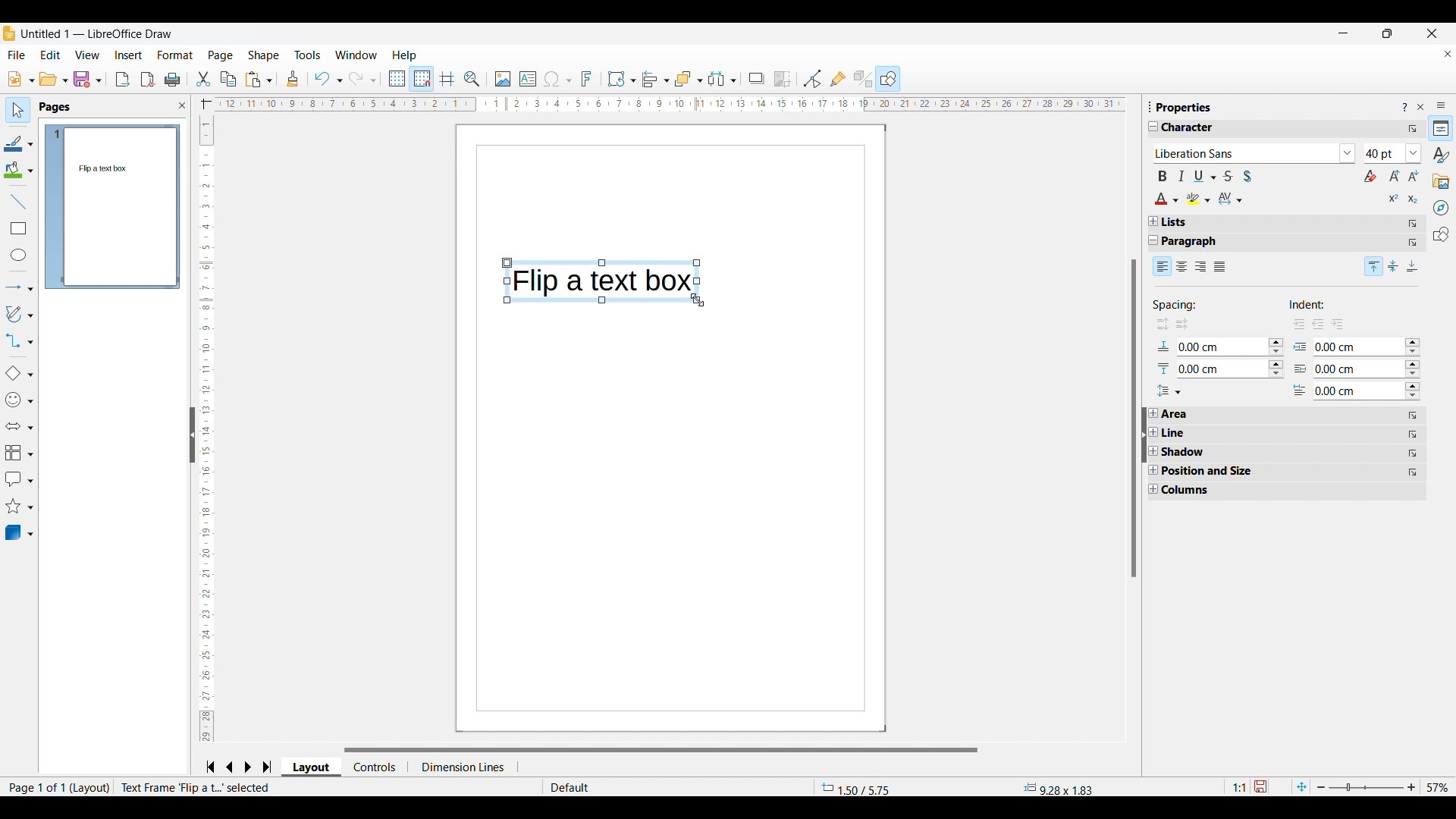 The width and height of the screenshot is (1456, 819). Describe the element at coordinates (1448, 54) in the screenshot. I see `Close current document` at that location.